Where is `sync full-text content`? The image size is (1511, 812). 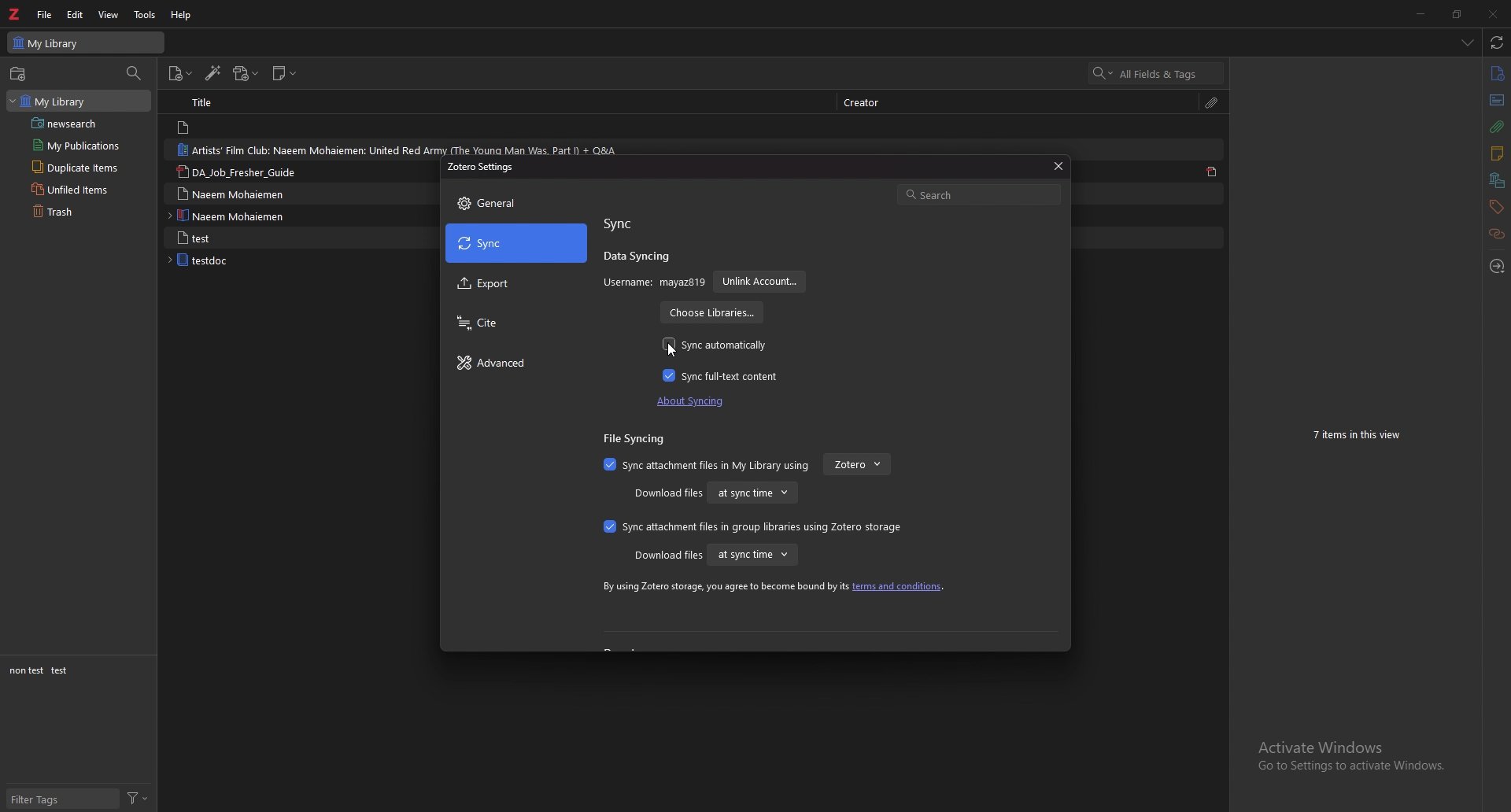
sync full-text content is located at coordinates (724, 375).